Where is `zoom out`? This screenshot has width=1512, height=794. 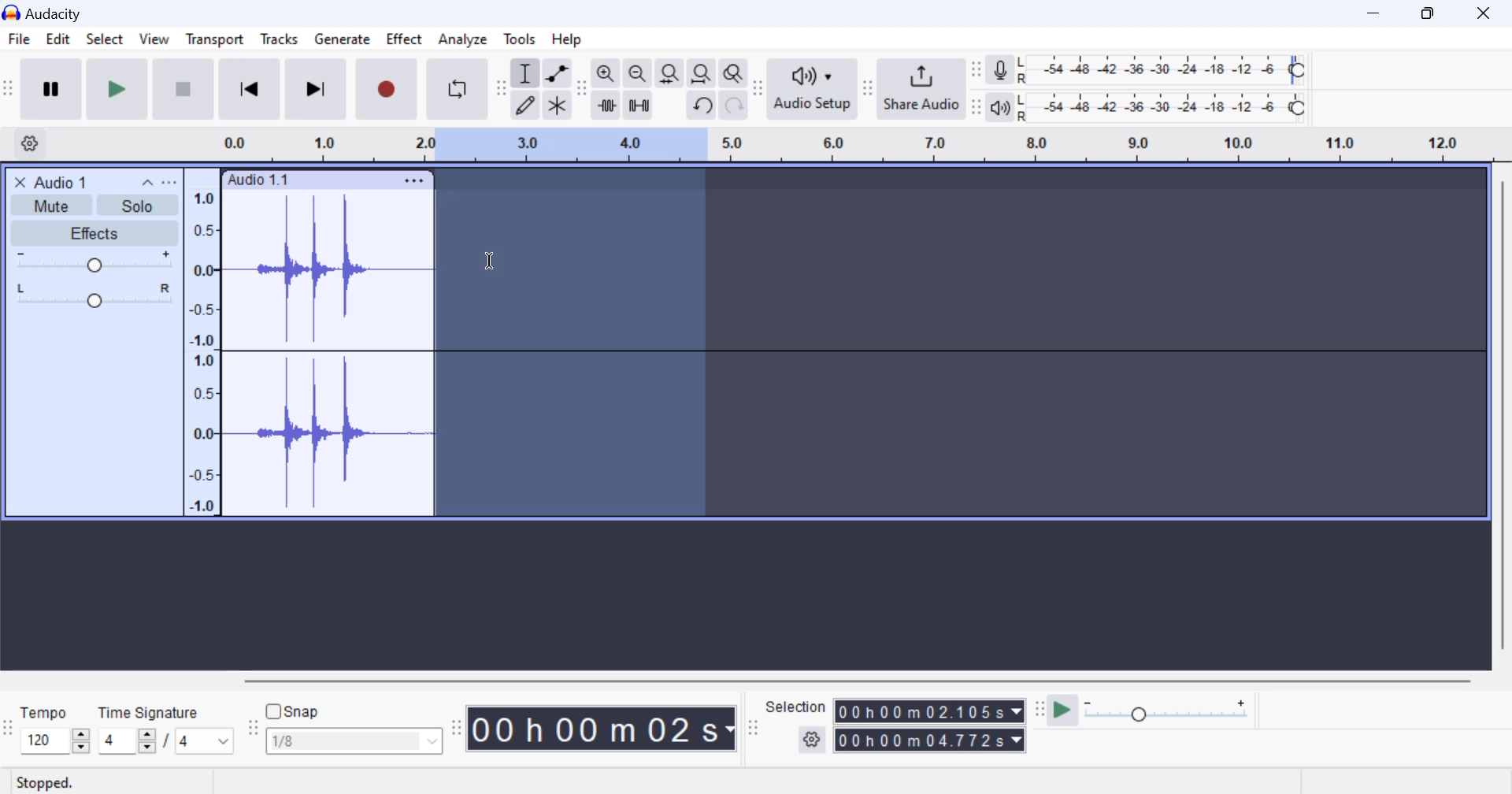 zoom out is located at coordinates (637, 75).